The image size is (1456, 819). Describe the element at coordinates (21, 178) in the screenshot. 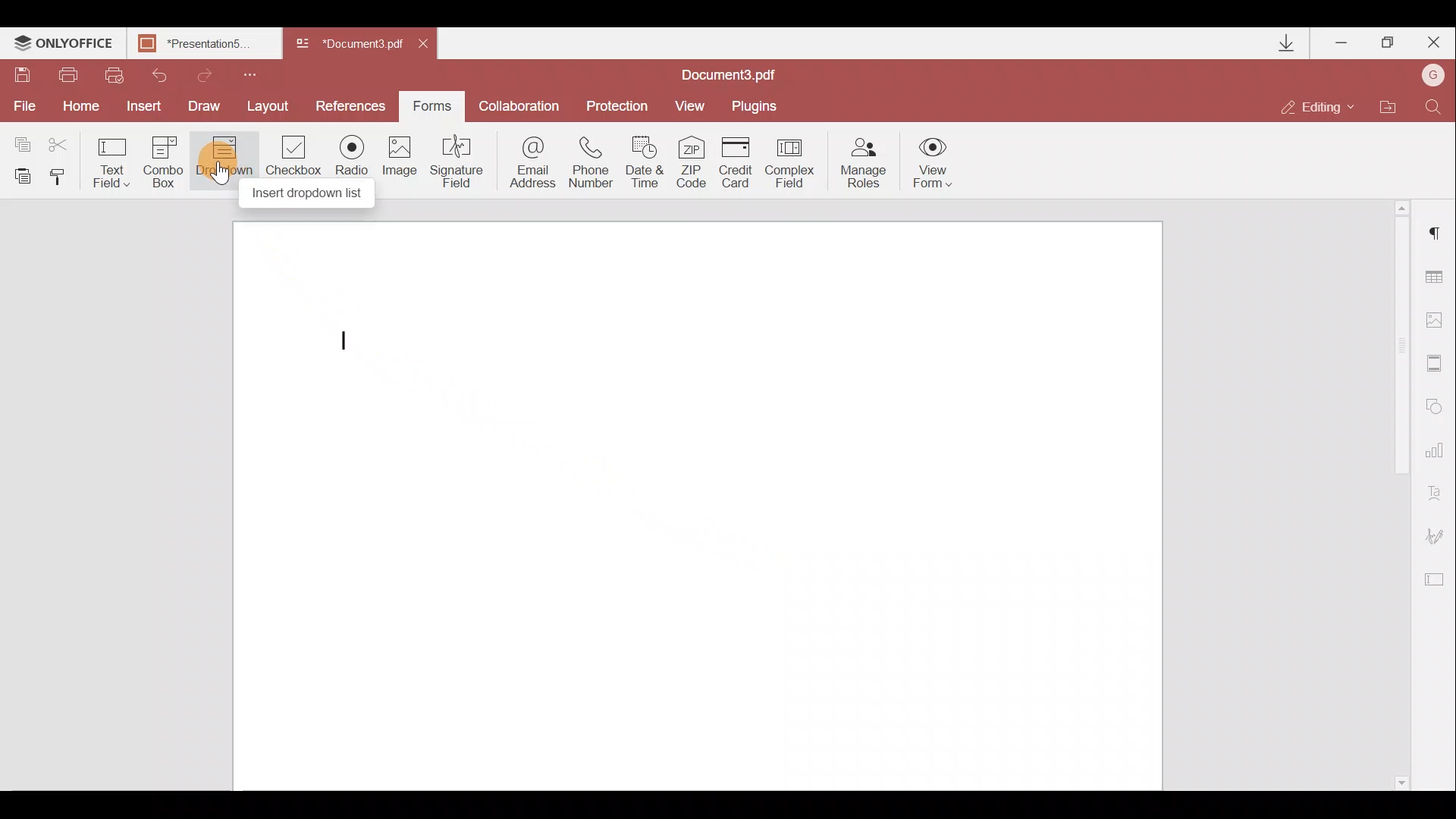

I see `Paste` at that location.